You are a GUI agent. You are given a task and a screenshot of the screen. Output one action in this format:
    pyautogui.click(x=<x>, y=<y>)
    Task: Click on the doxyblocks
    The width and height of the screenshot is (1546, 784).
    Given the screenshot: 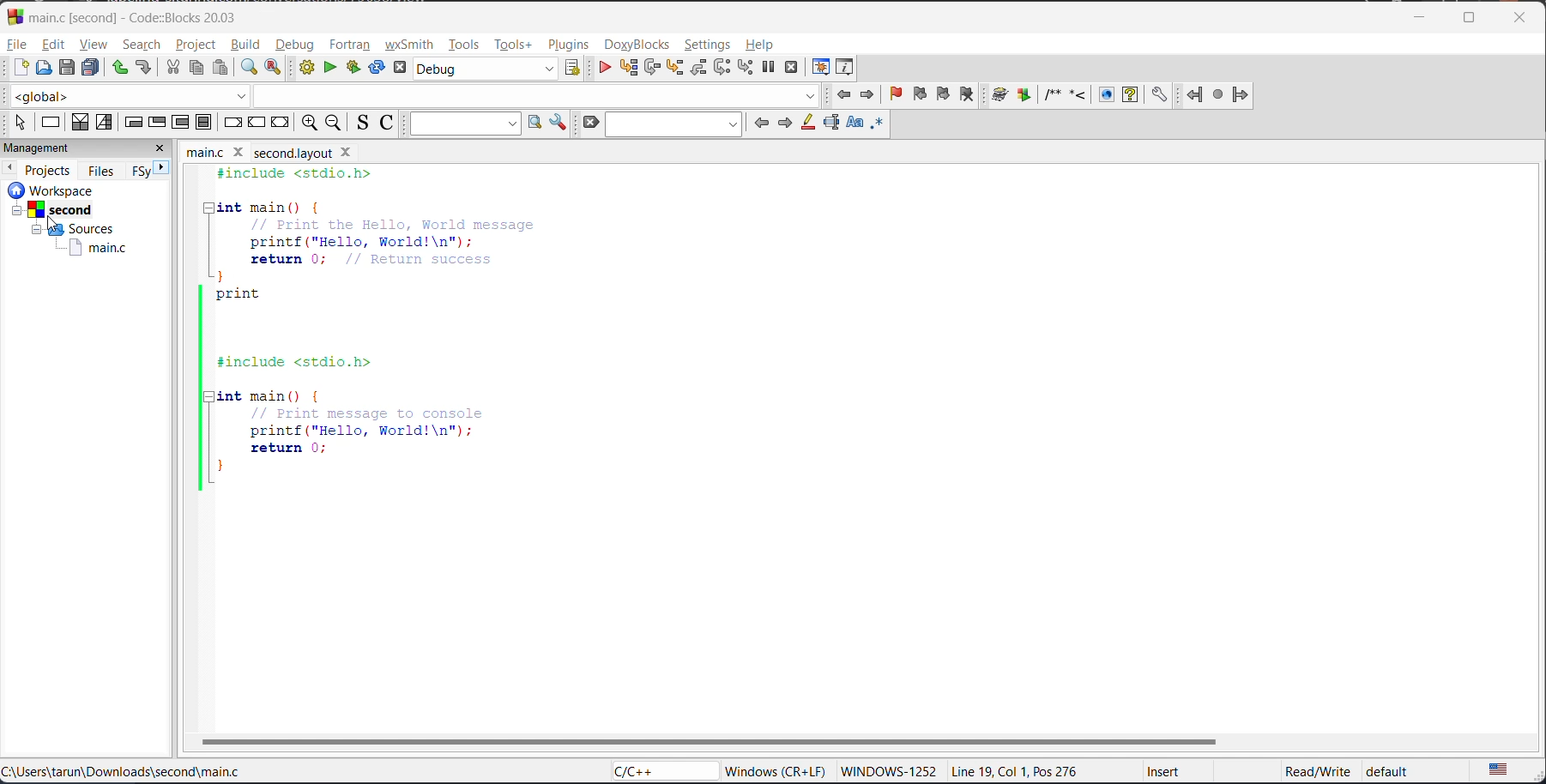 What is the action you would take?
    pyautogui.click(x=1080, y=94)
    